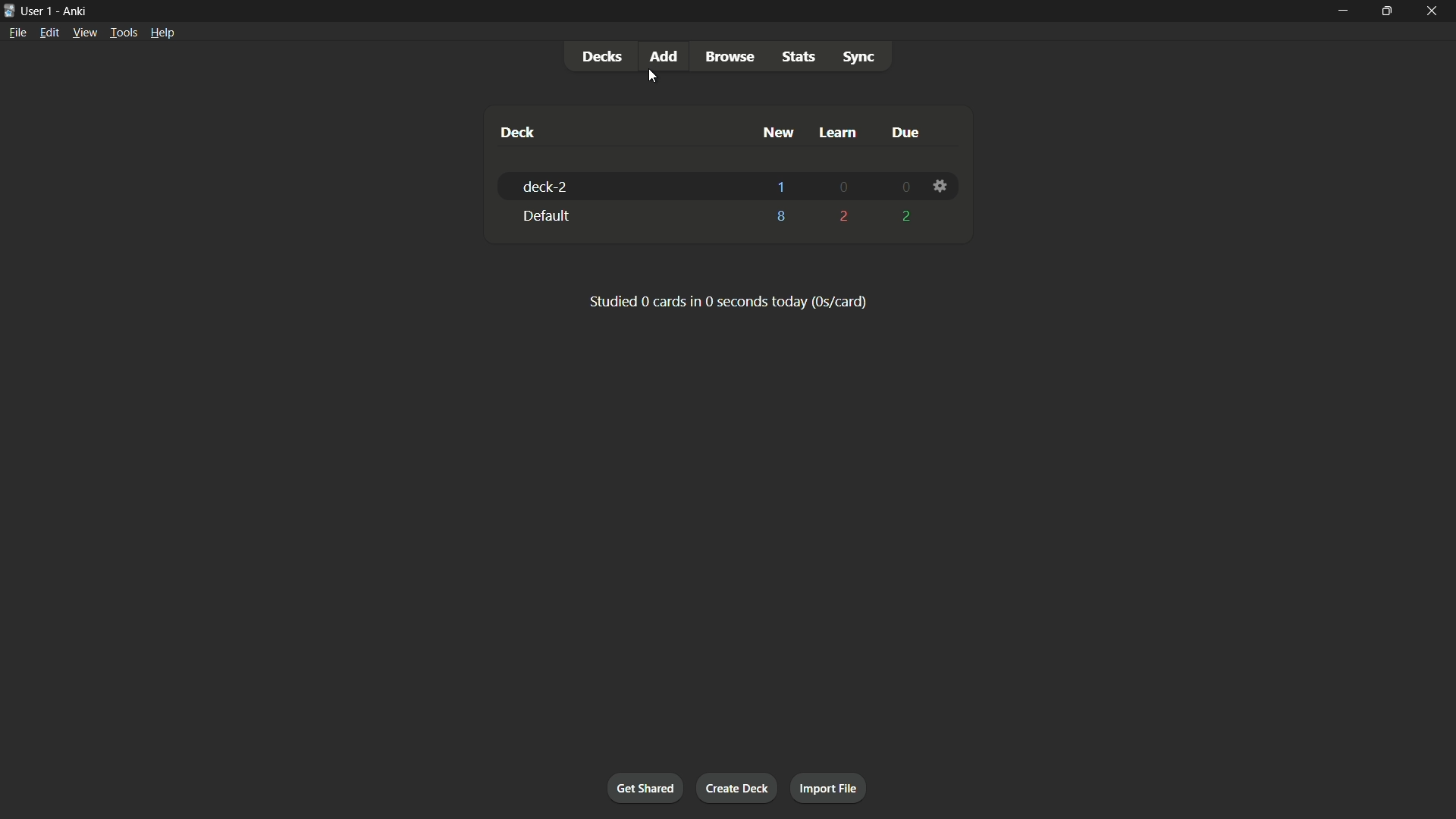  Describe the element at coordinates (651, 78) in the screenshot. I see `cursor` at that location.